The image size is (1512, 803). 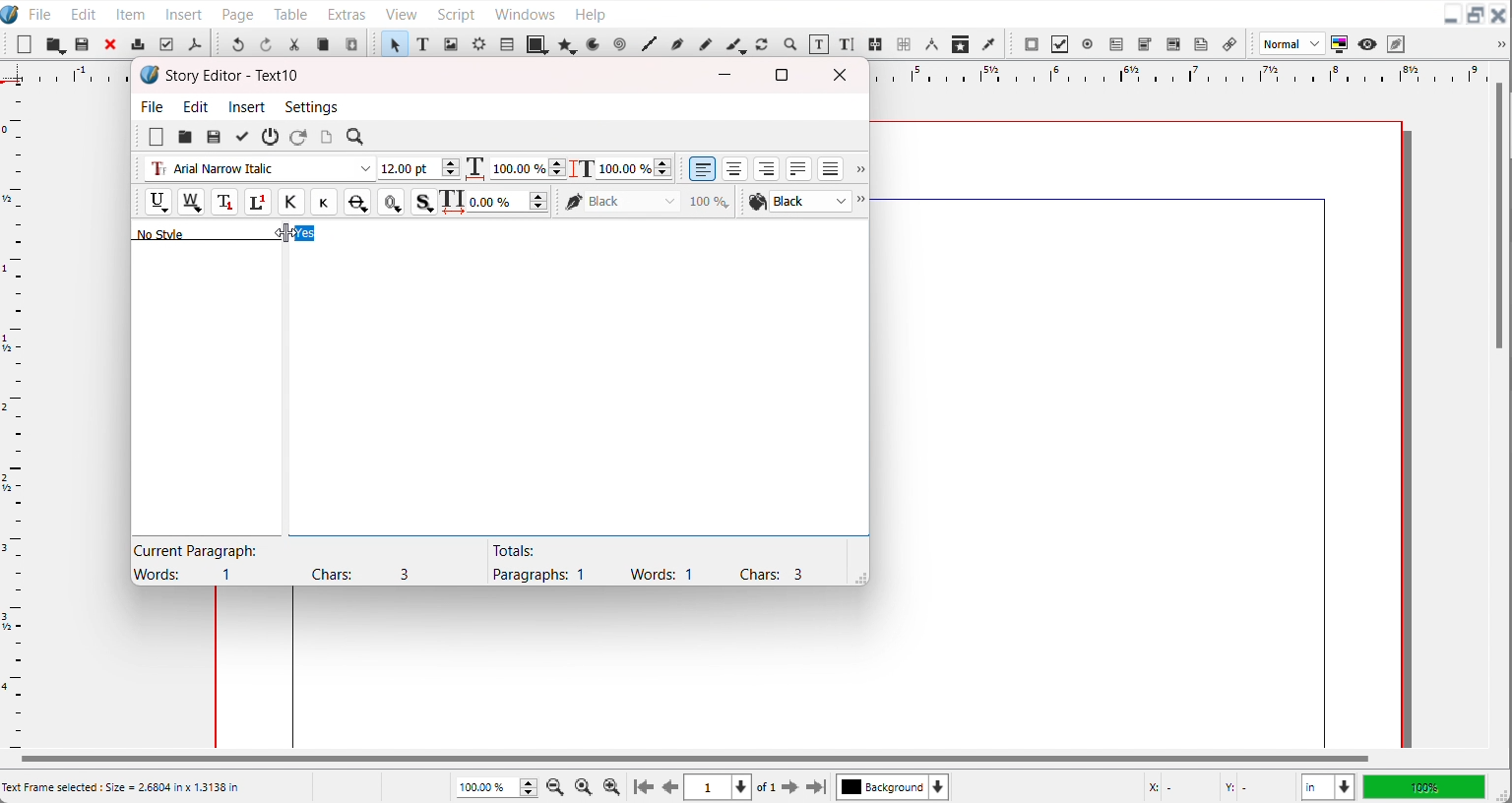 What do you see at coordinates (498, 787) in the screenshot?
I see `Adjust Zoom` at bounding box center [498, 787].